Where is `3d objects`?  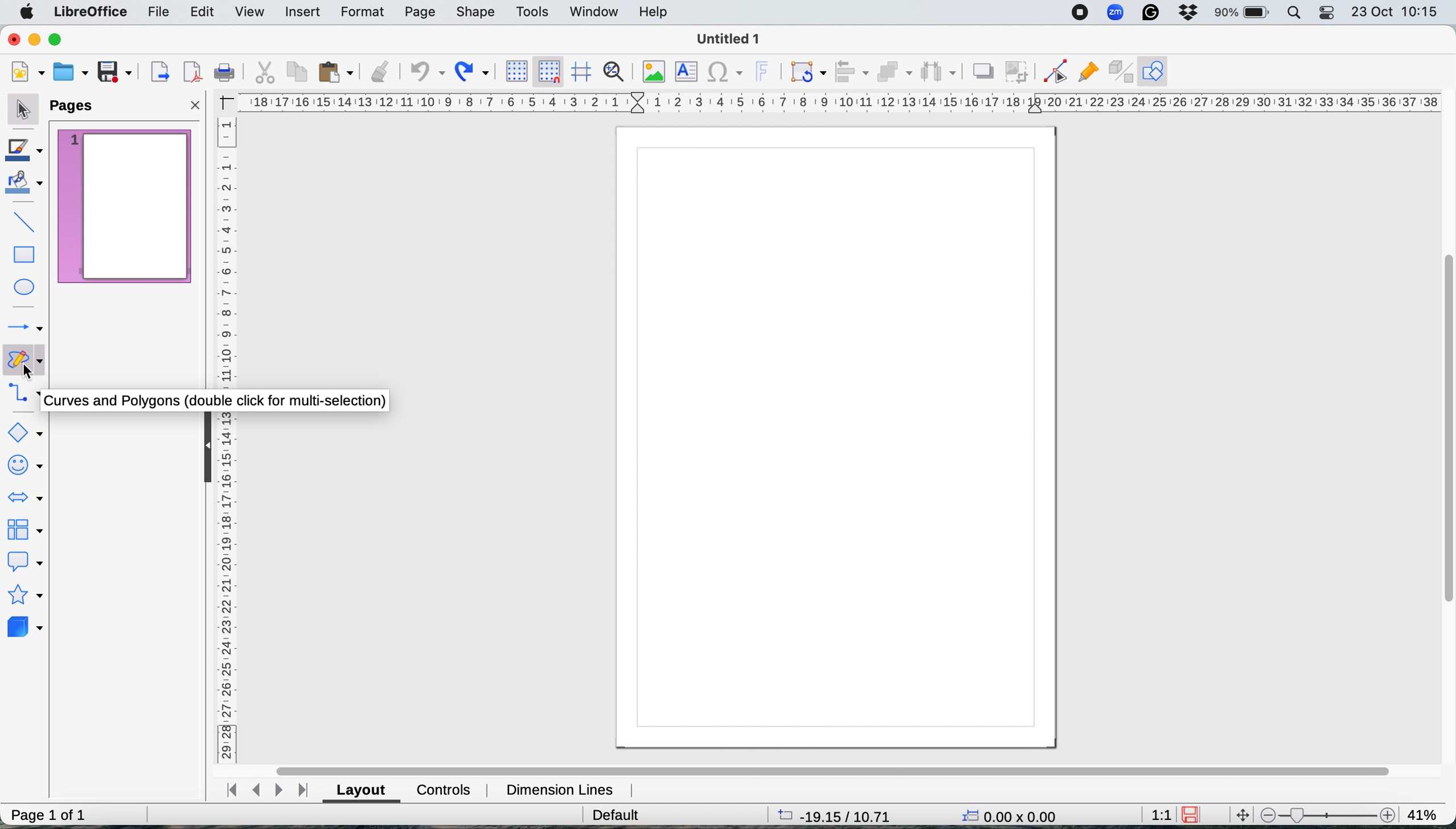
3d objects is located at coordinates (26, 630).